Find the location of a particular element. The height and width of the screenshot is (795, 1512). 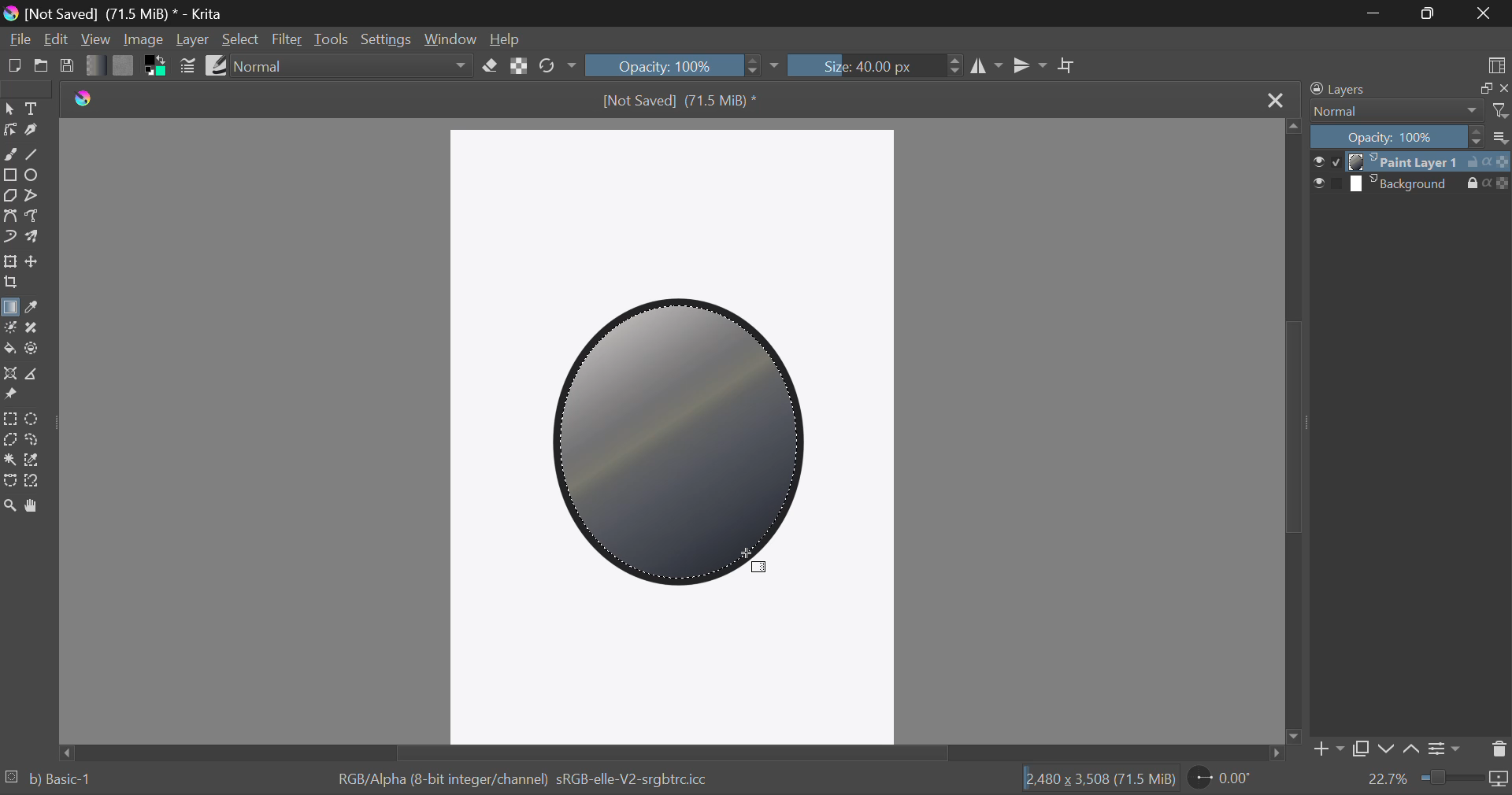

Scroll Bar is located at coordinates (670, 755).